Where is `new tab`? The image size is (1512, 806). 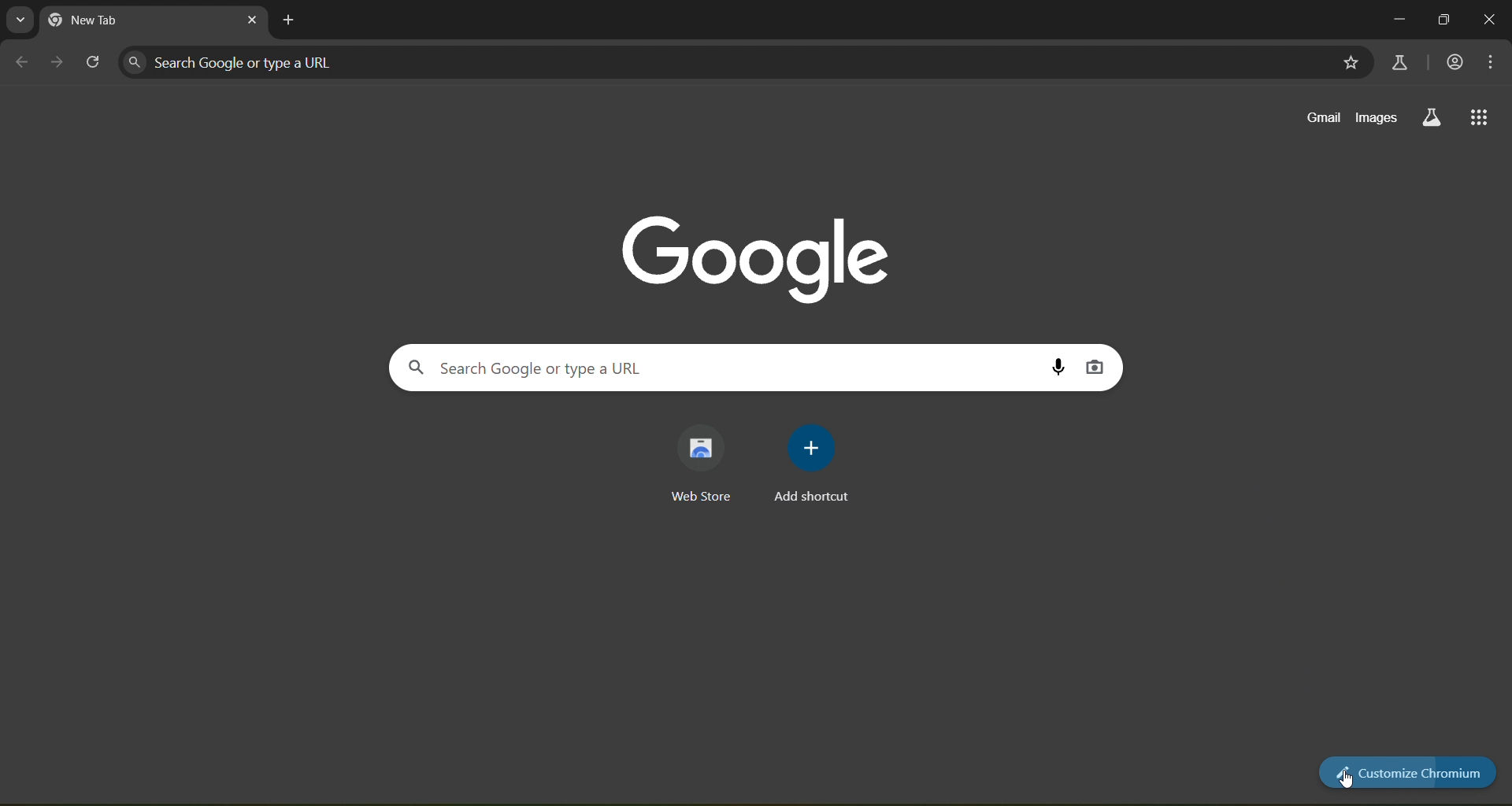 new tab is located at coordinates (291, 21).